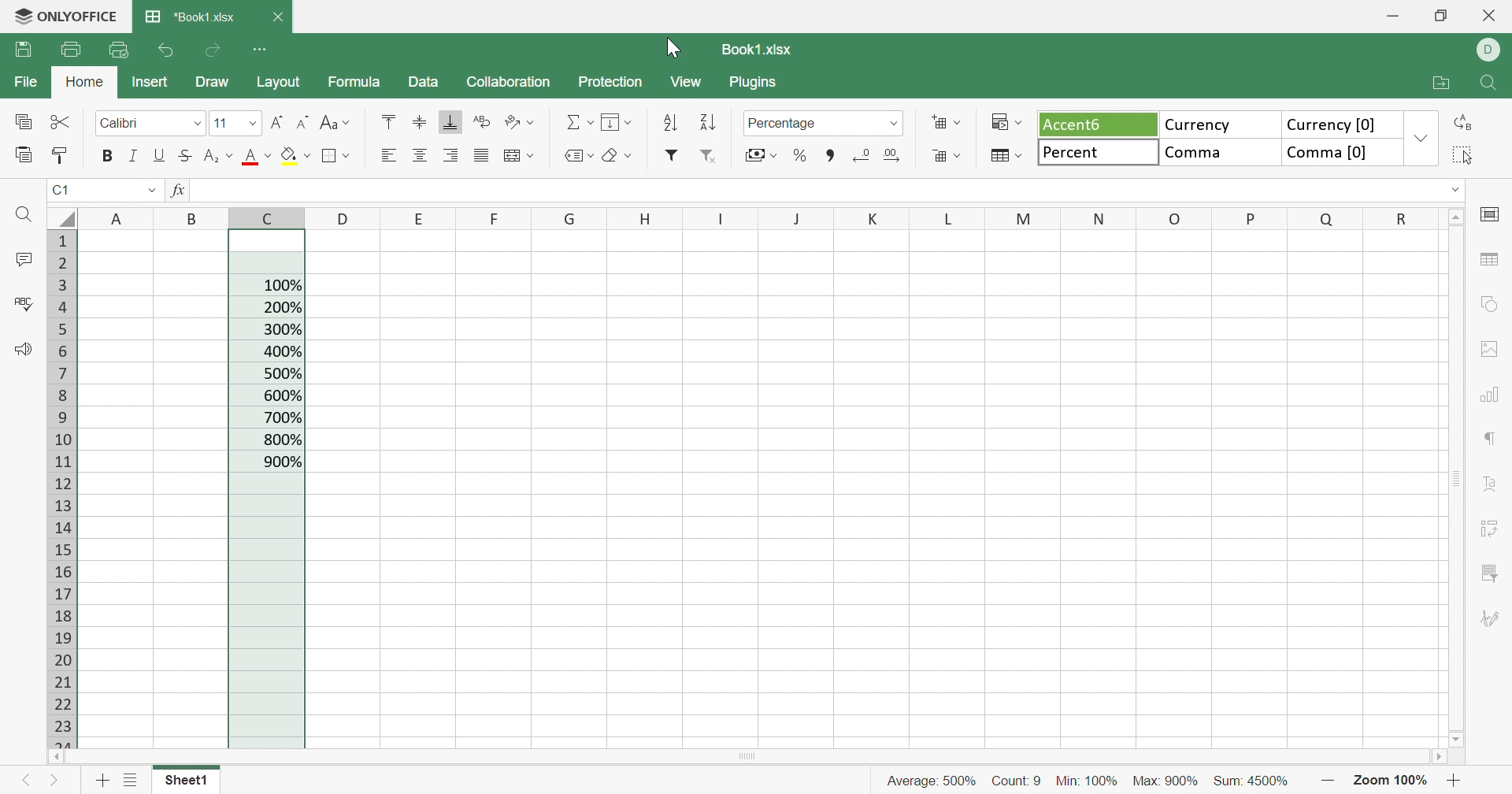 The image size is (1512, 794). Describe the element at coordinates (264, 50) in the screenshot. I see `Customize quick access toolbar` at that location.